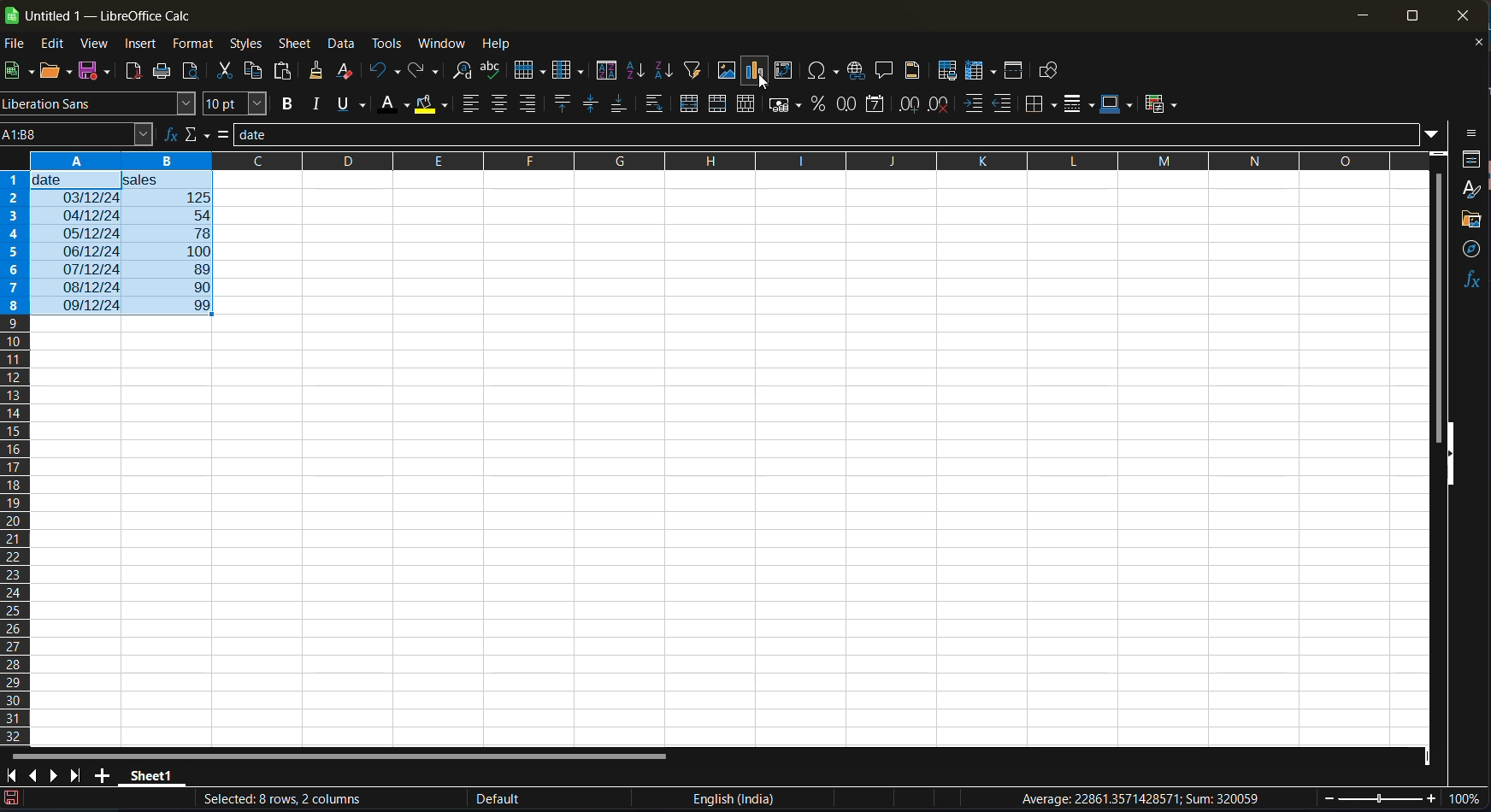  What do you see at coordinates (1471, 133) in the screenshot?
I see `side bar settings` at bounding box center [1471, 133].